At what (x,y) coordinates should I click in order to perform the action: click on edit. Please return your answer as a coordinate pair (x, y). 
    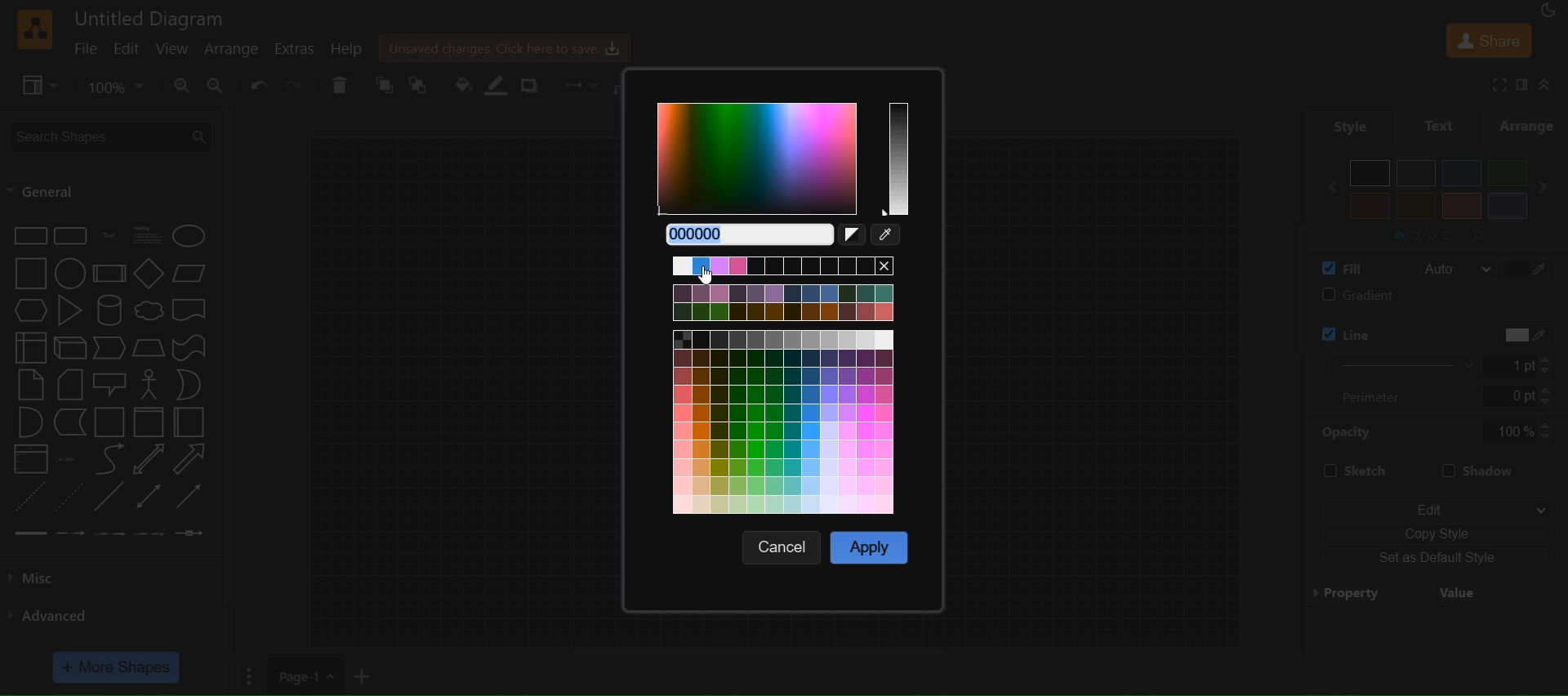
    Looking at the image, I should click on (1436, 505).